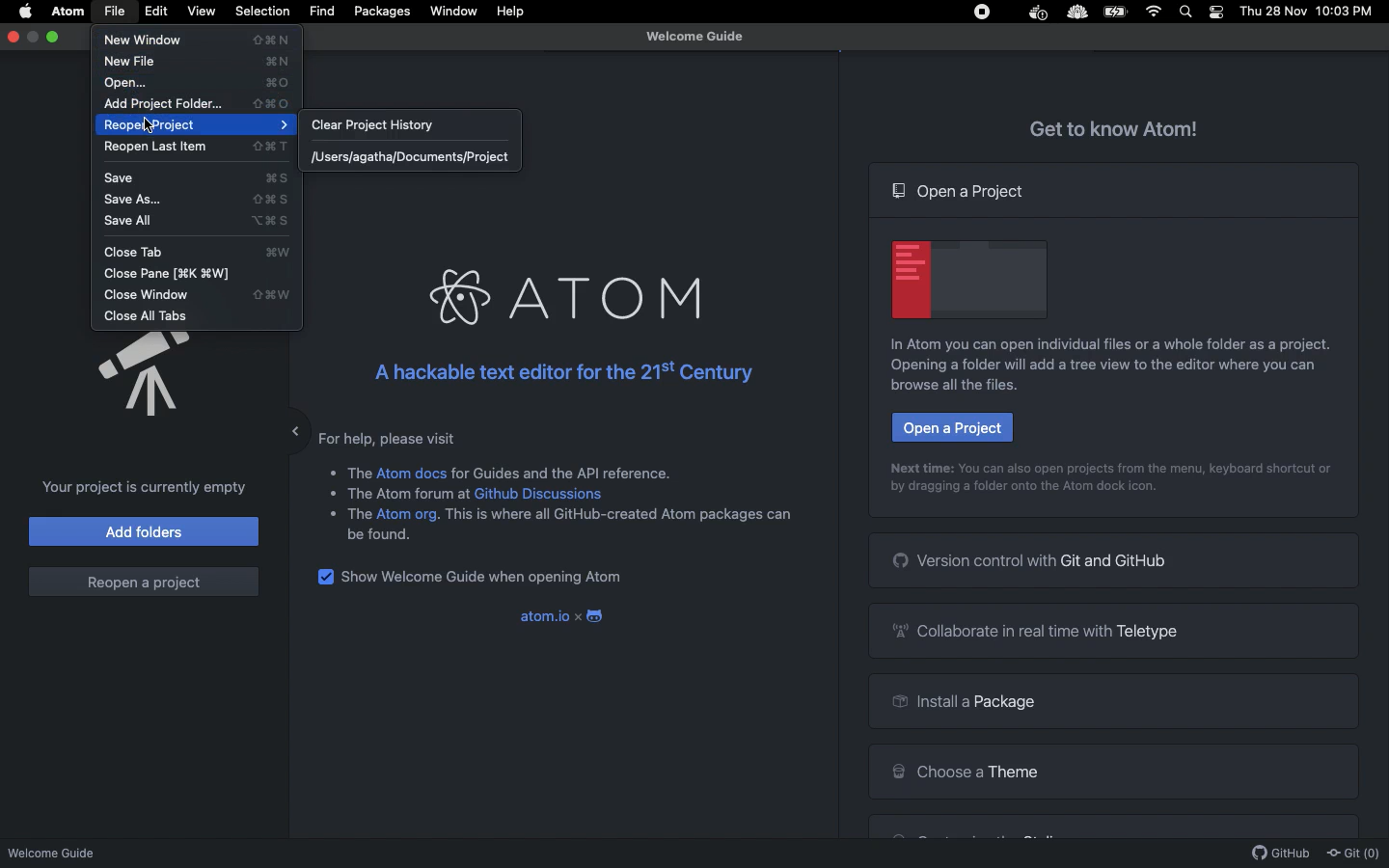  Describe the element at coordinates (281, 426) in the screenshot. I see `Minimize` at that location.